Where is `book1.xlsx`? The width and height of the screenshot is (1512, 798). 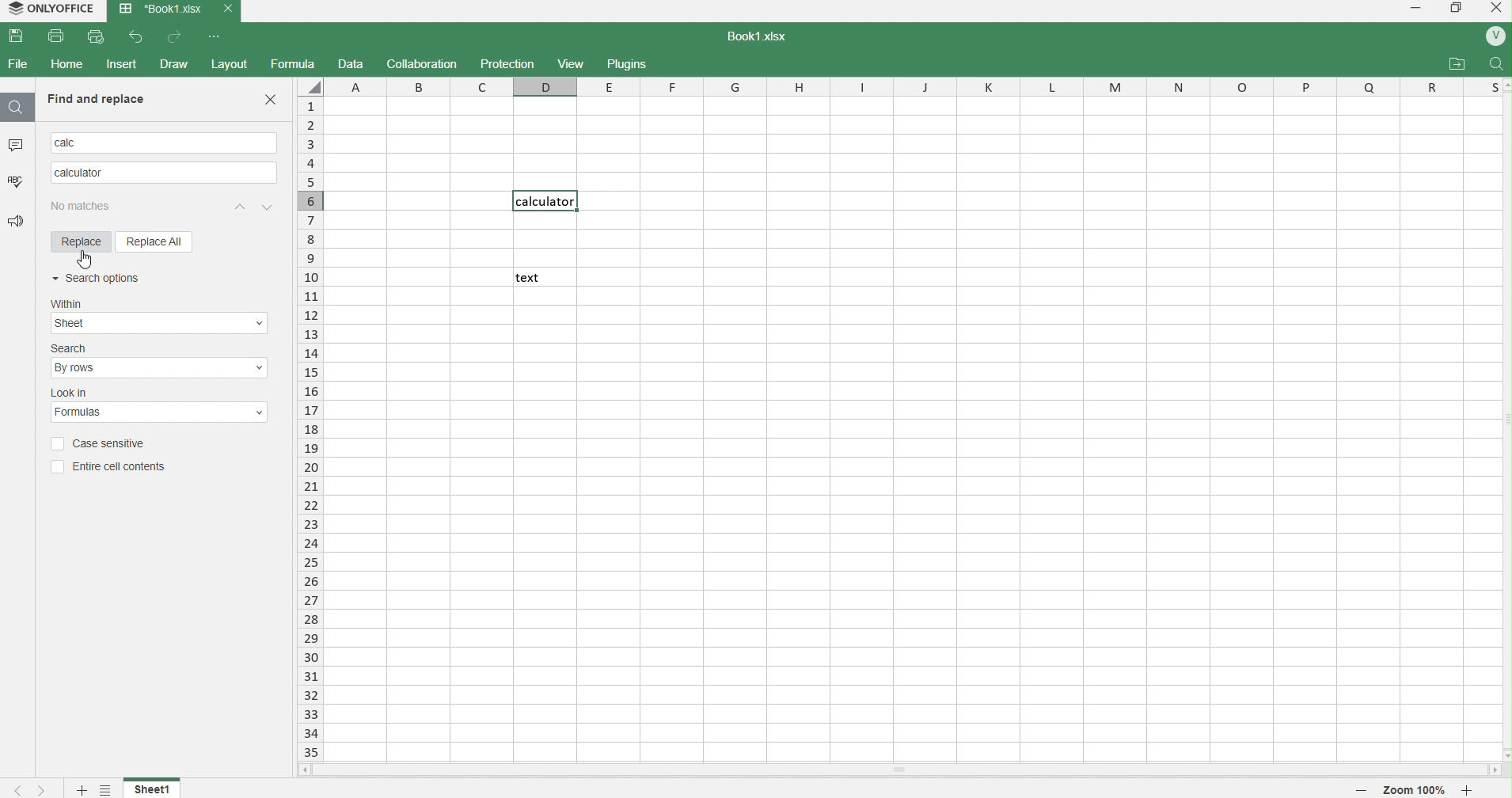
book1.xlsx is located at coordinates (757, 37).